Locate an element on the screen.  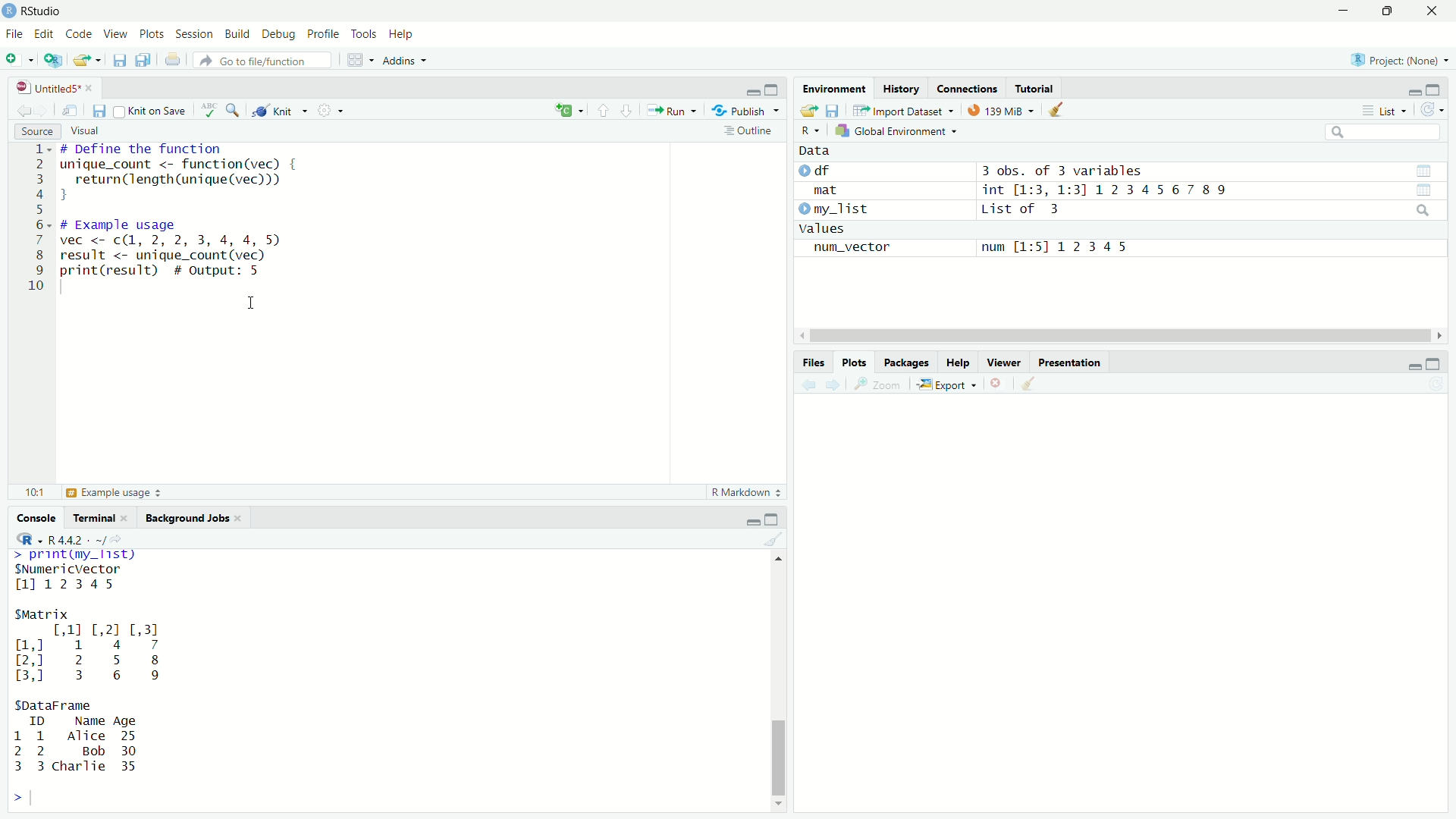
back is located at coordinates (26, 110).